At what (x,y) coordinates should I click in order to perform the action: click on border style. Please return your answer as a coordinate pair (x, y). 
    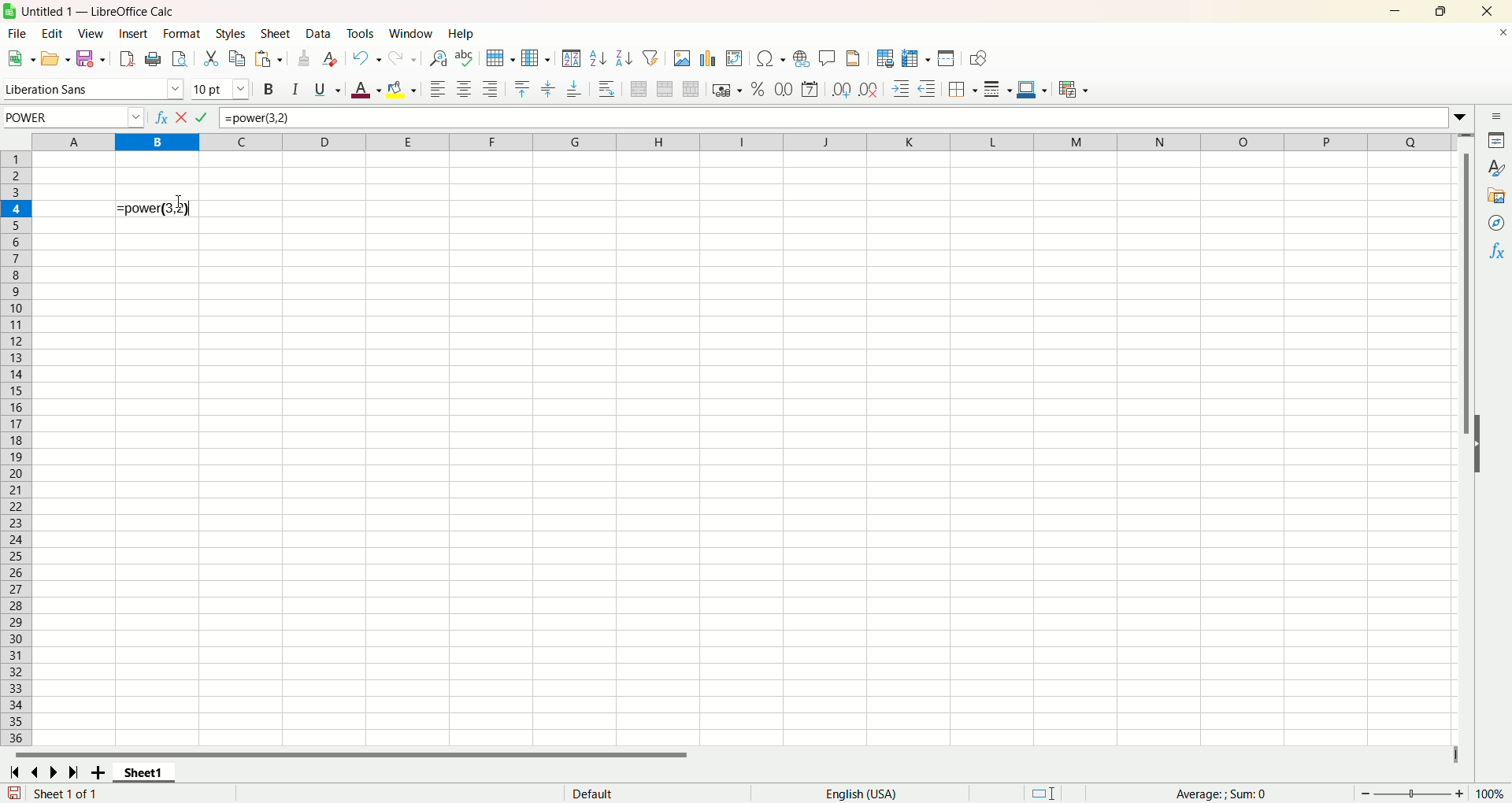
    Looking at the image, I should click on (998, 91).